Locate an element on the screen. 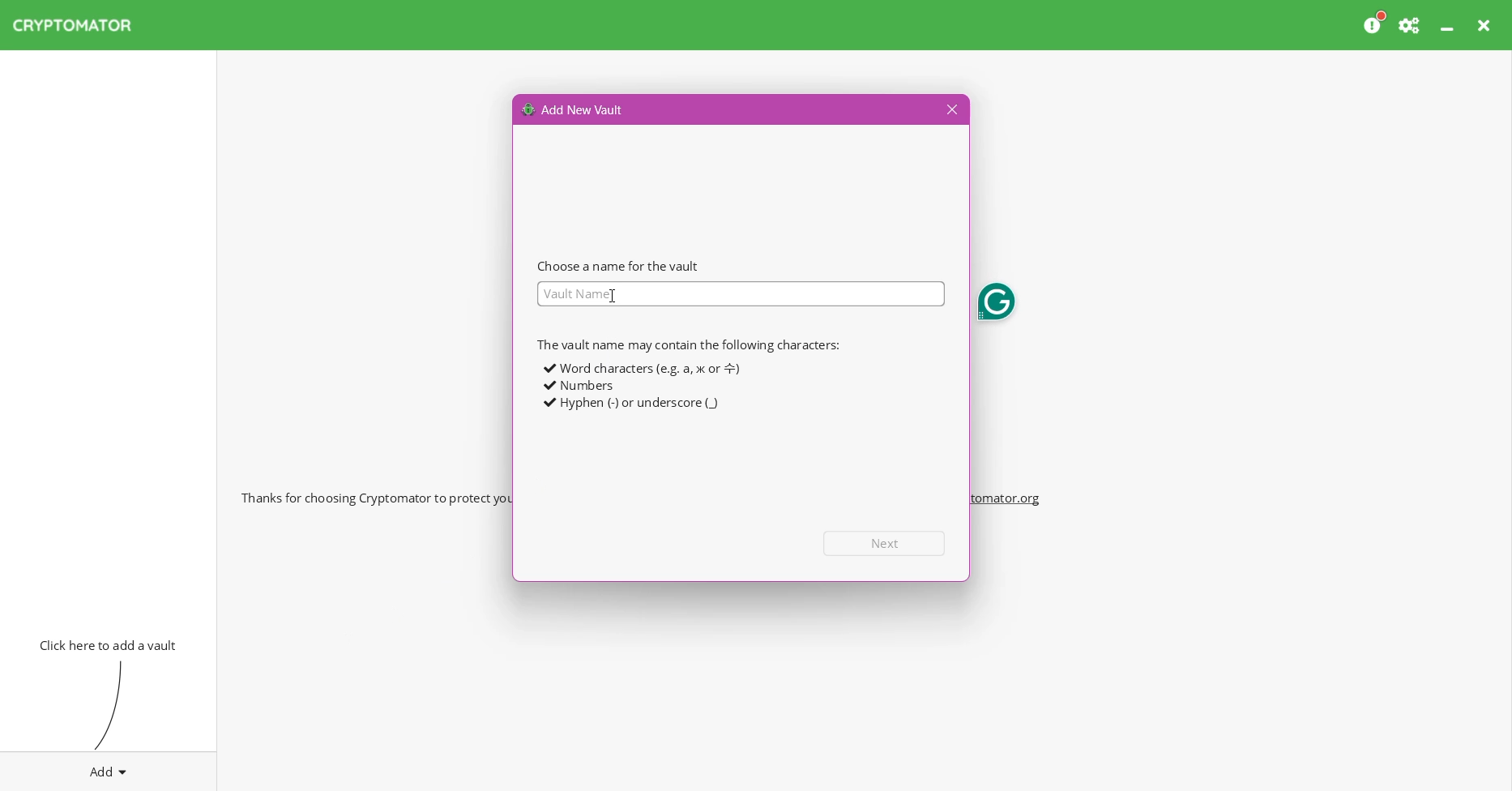 The height and width of the screenshot is (791, 1512). Minimize is located at coordinates (1449, 25).